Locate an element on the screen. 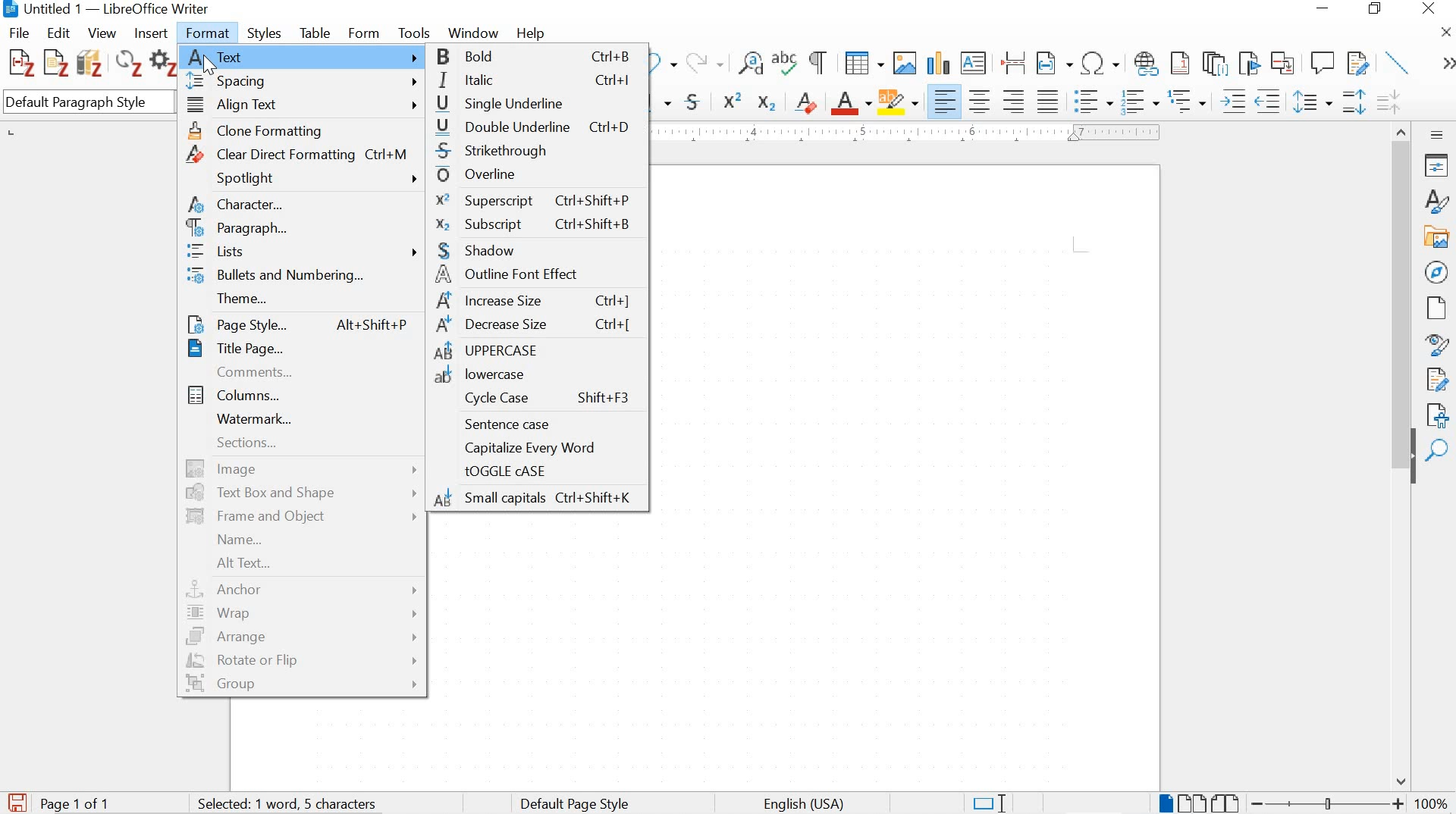  decrease paragraph spacing is located at coordinates (1388, 104).